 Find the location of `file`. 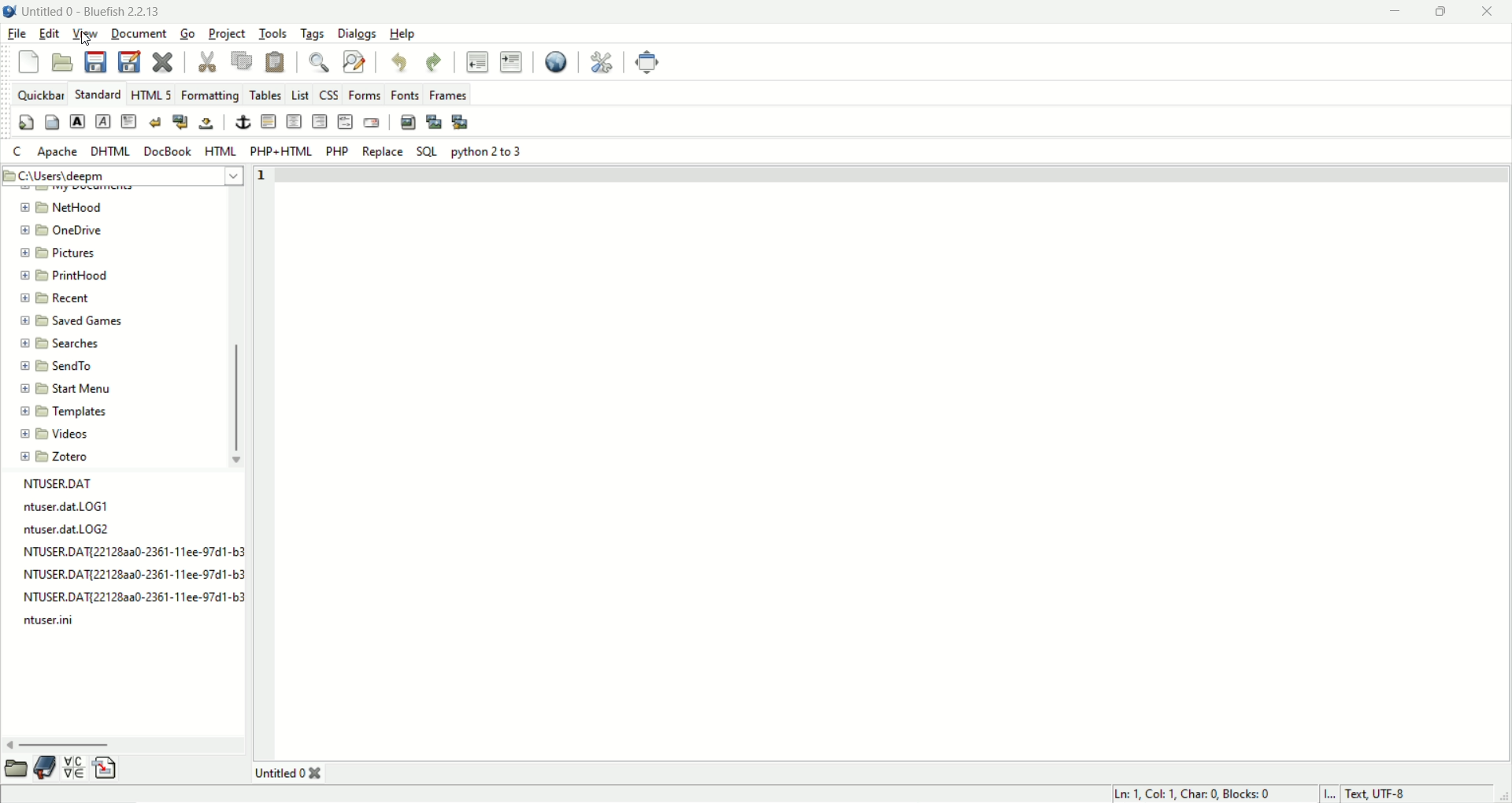

file is located at coordinates (74, 531).